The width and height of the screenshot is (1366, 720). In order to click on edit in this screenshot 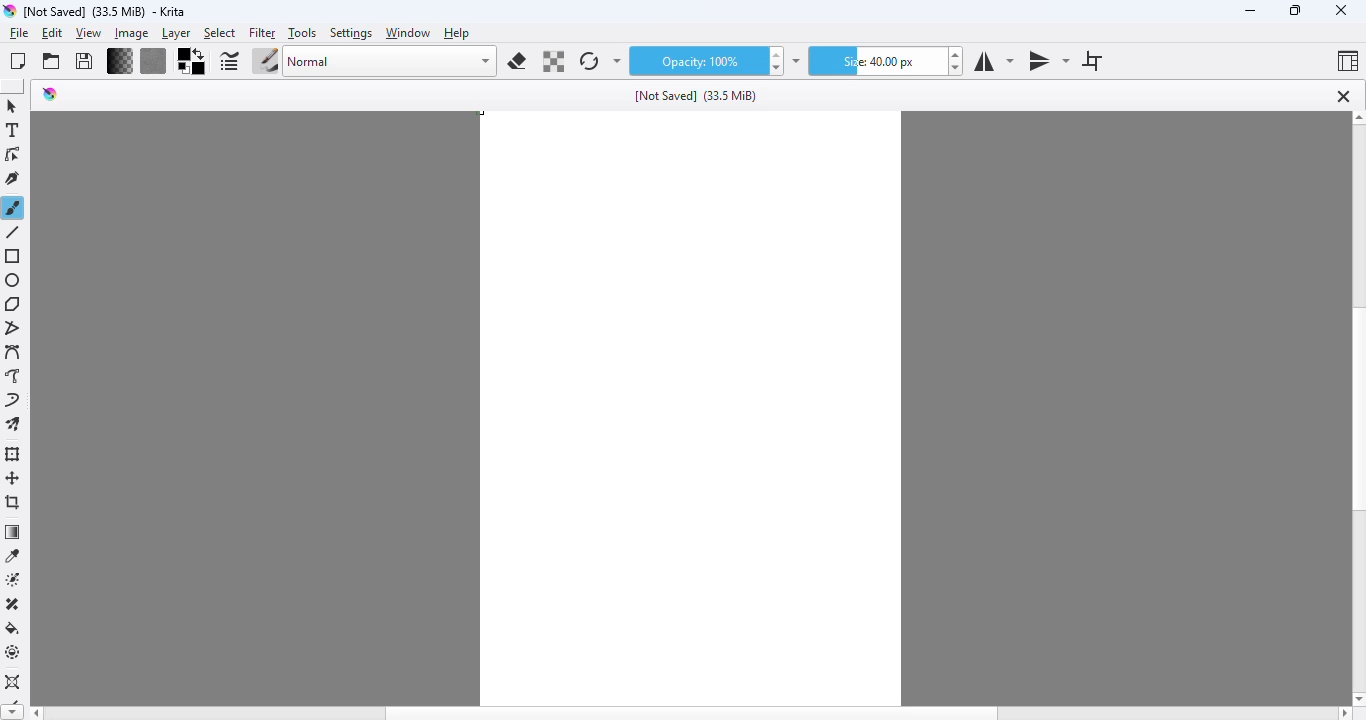, I will do `click(52, 34)`.